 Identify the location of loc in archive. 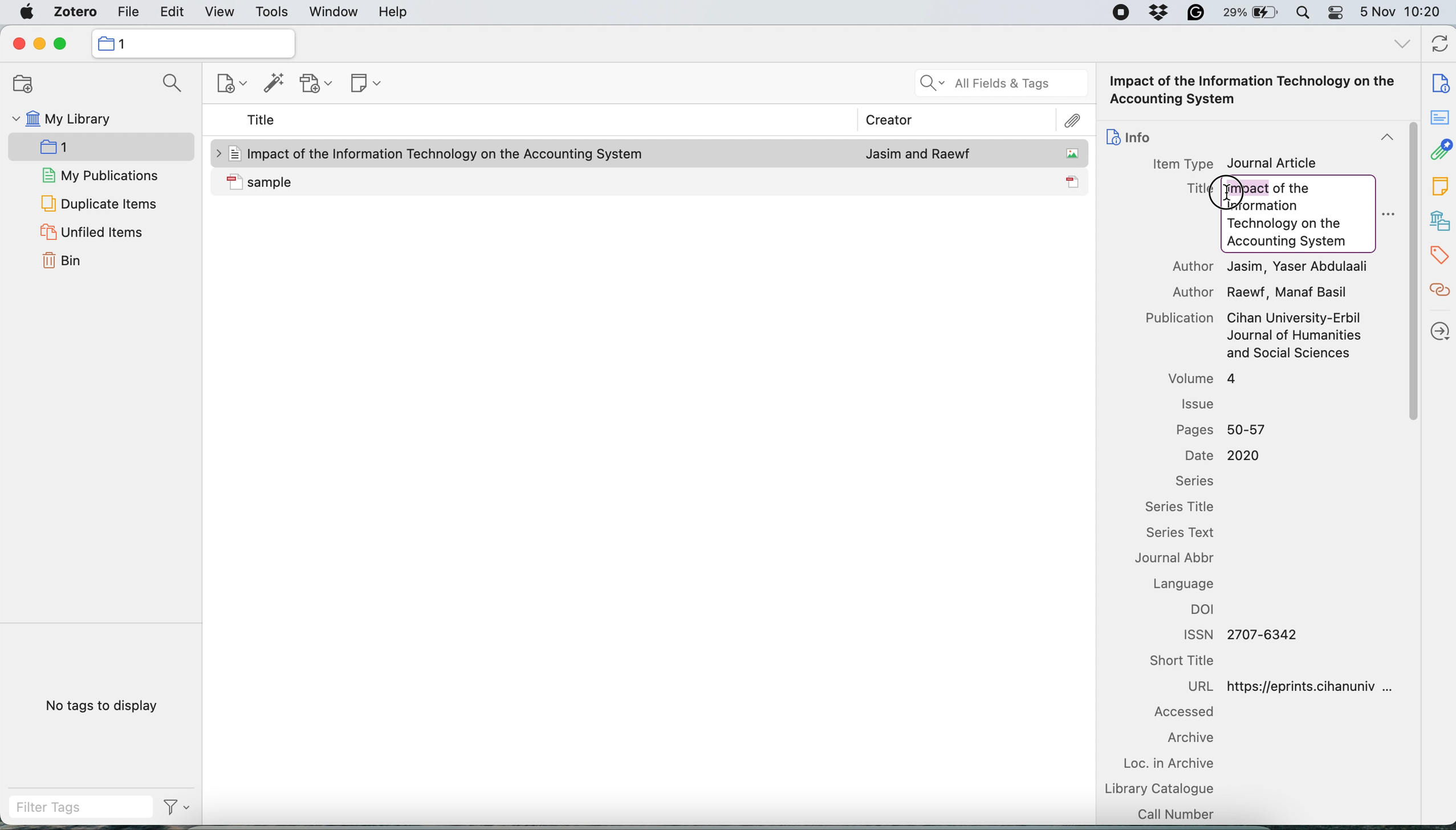
(1175, 762).